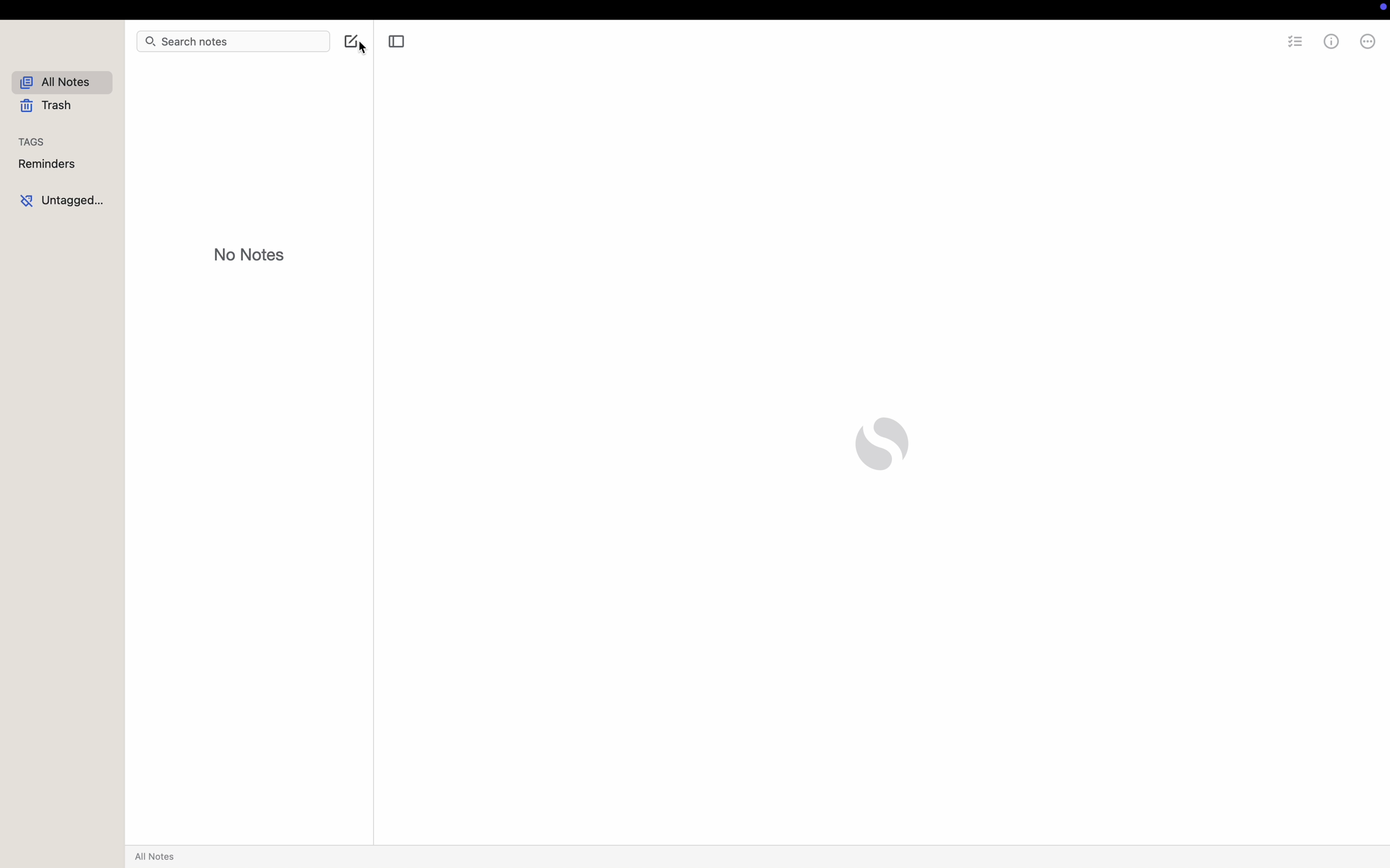  Describe the element at coordinates (1368, 41) in the screenshot. I see `more options` at that location.